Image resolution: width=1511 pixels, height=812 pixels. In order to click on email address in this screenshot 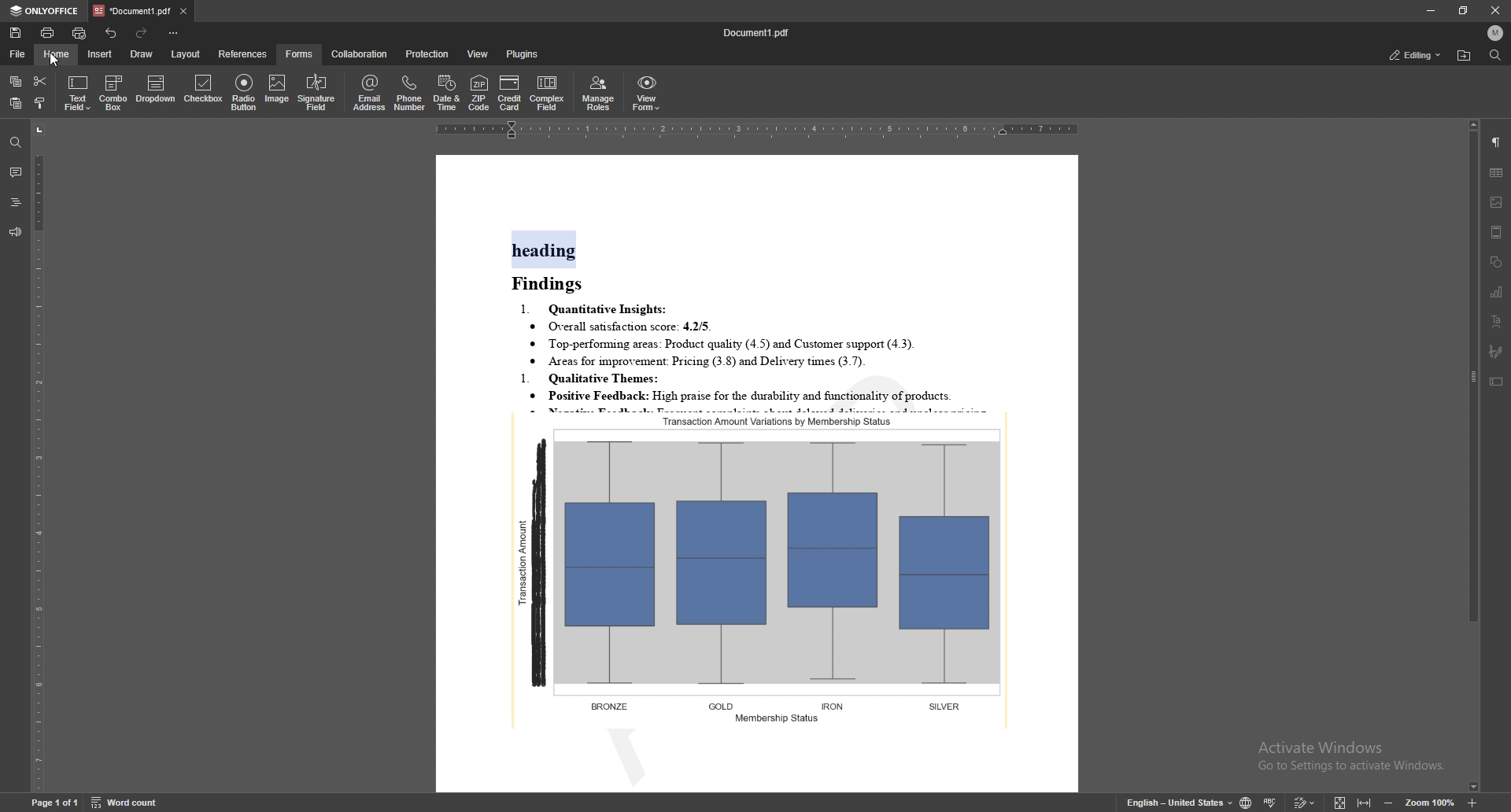, I will do `click(370, 92)`.